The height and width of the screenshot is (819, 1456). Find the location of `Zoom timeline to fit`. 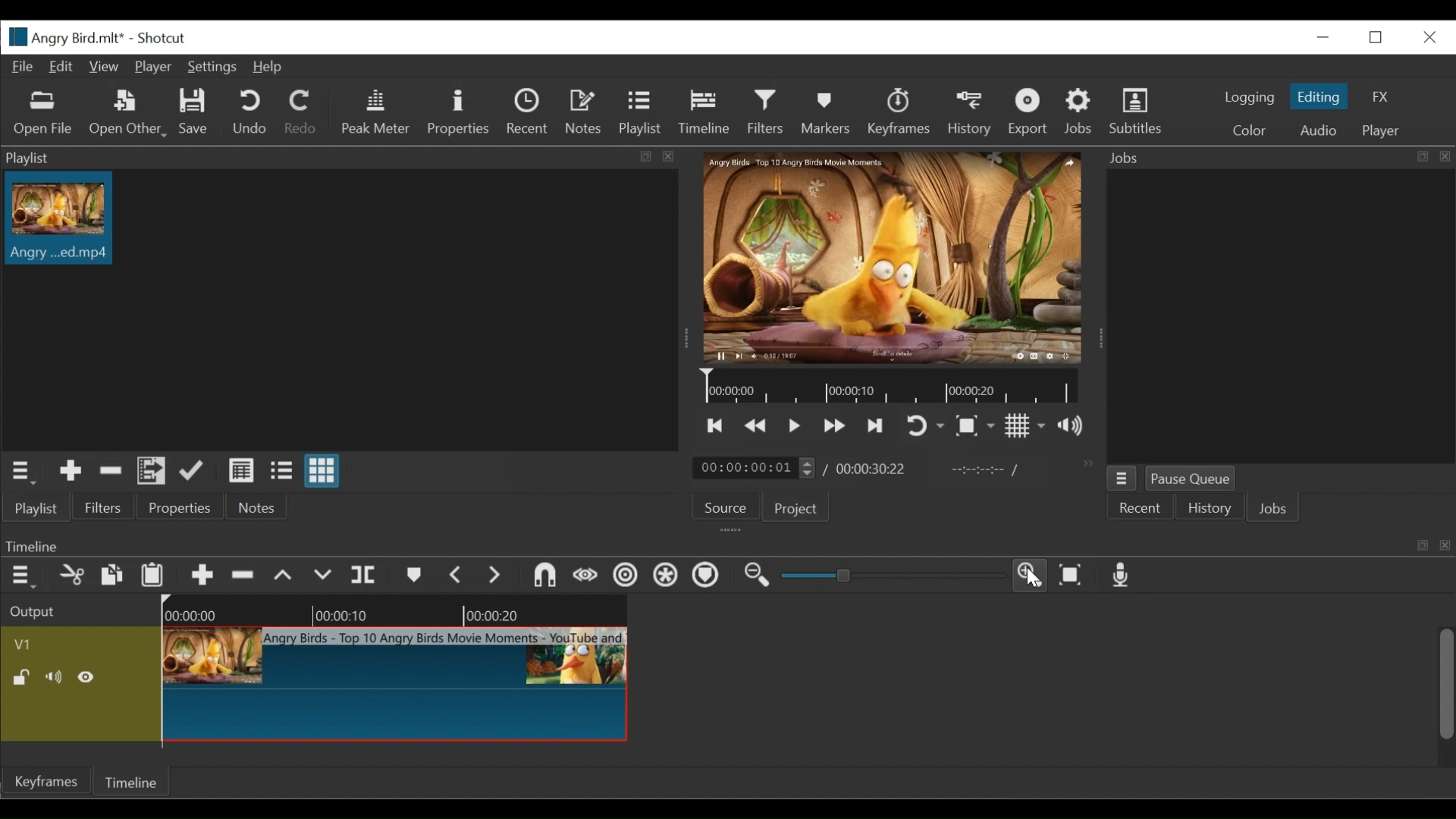

Zoom timeline to fit is located at coordinates (1072, 576).